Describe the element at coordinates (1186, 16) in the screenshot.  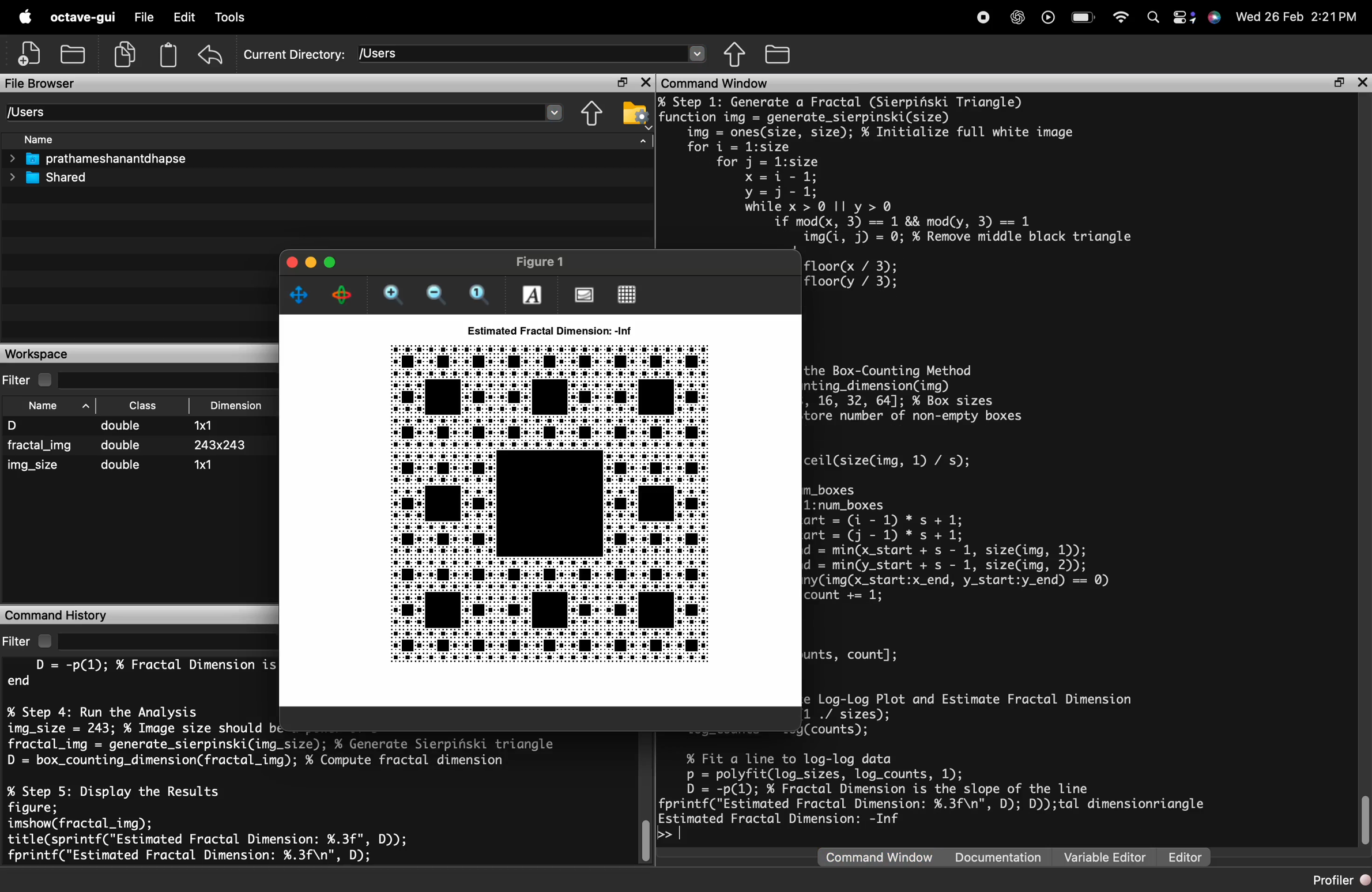
I see `settings` at that location.